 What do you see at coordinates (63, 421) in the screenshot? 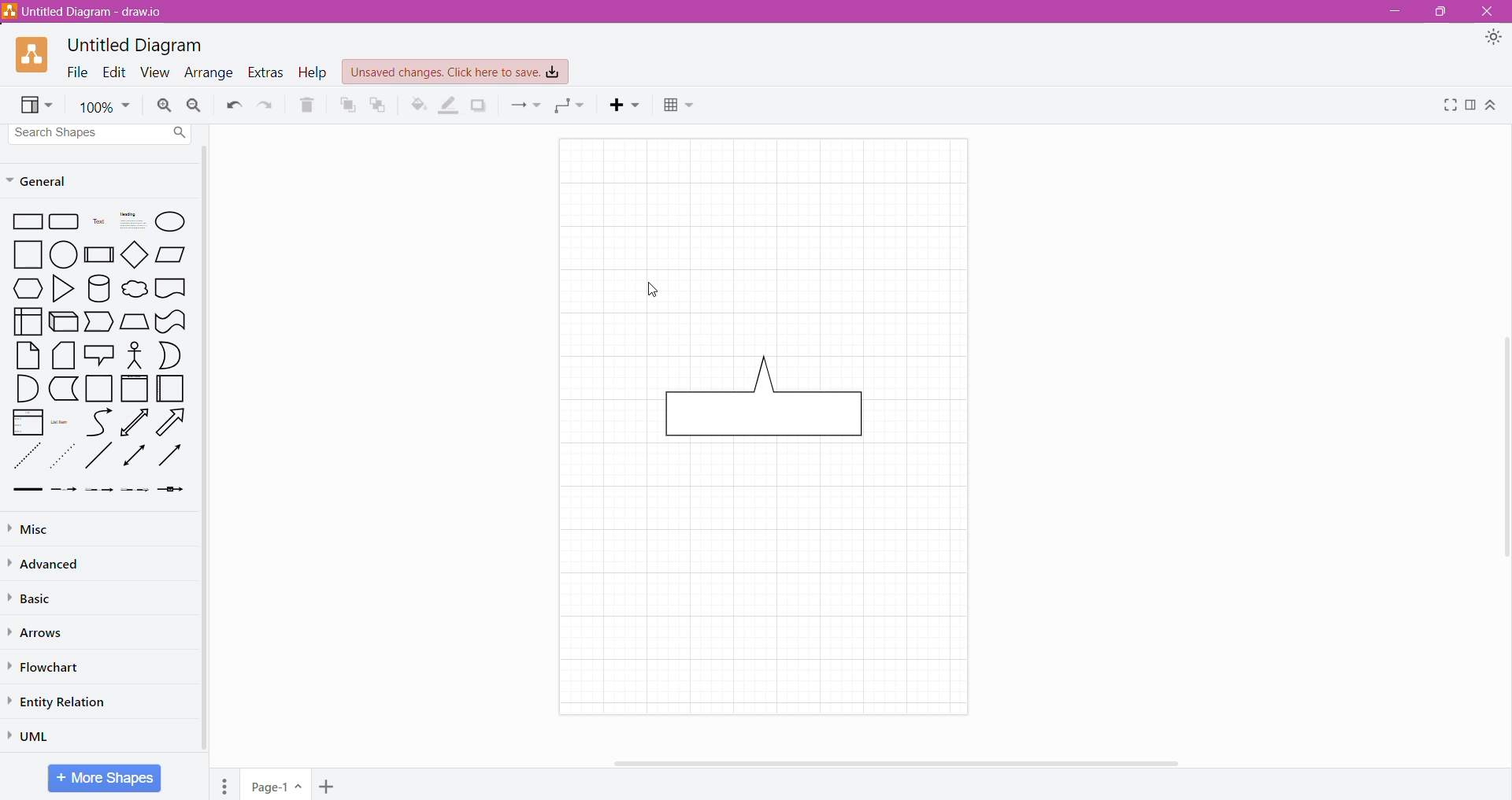
I see `list item` at bounding box center [63, 421].